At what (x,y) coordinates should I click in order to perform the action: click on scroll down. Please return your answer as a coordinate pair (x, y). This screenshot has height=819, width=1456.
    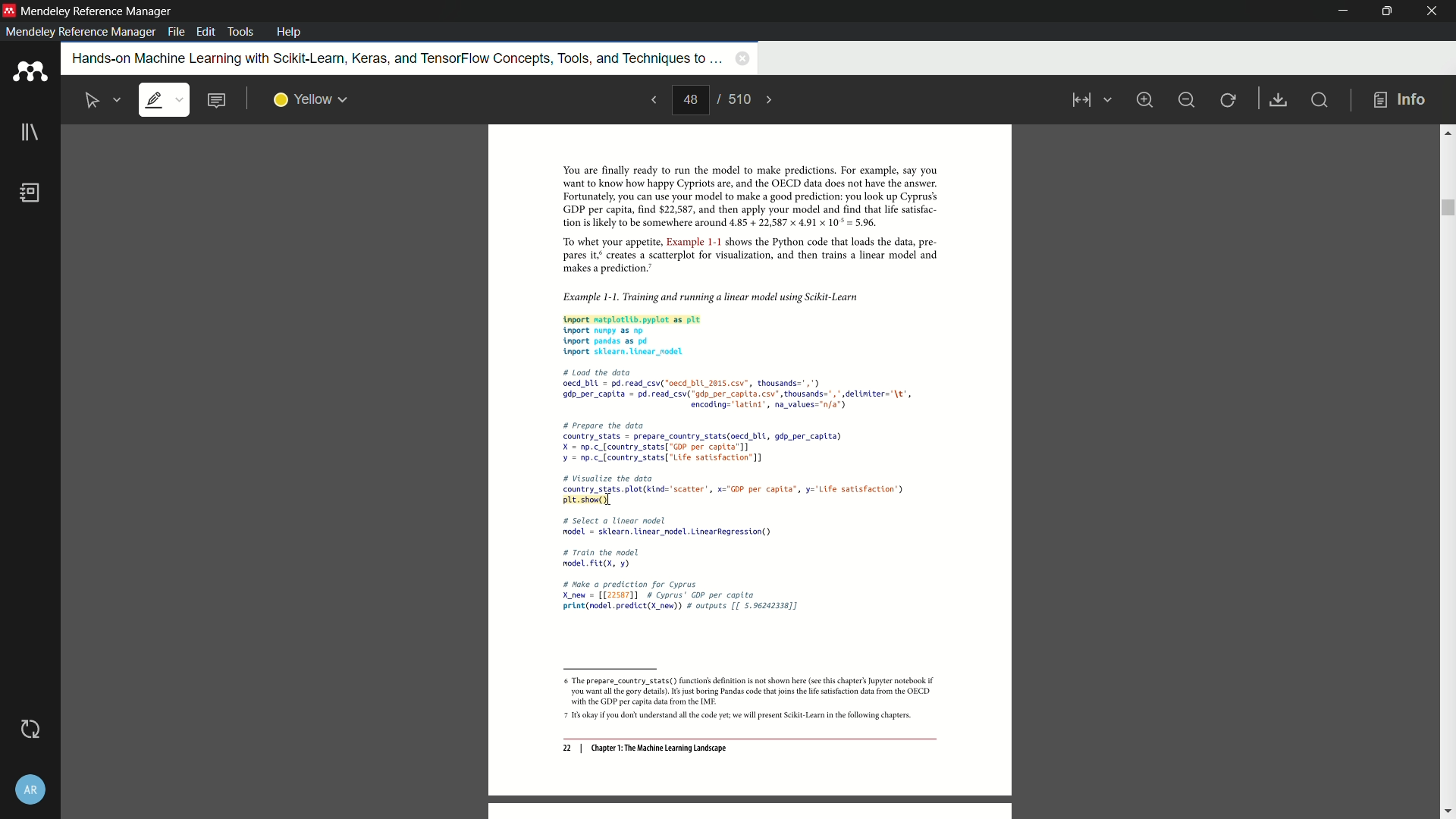
    Looking at the image, I should click on (1447, 812).